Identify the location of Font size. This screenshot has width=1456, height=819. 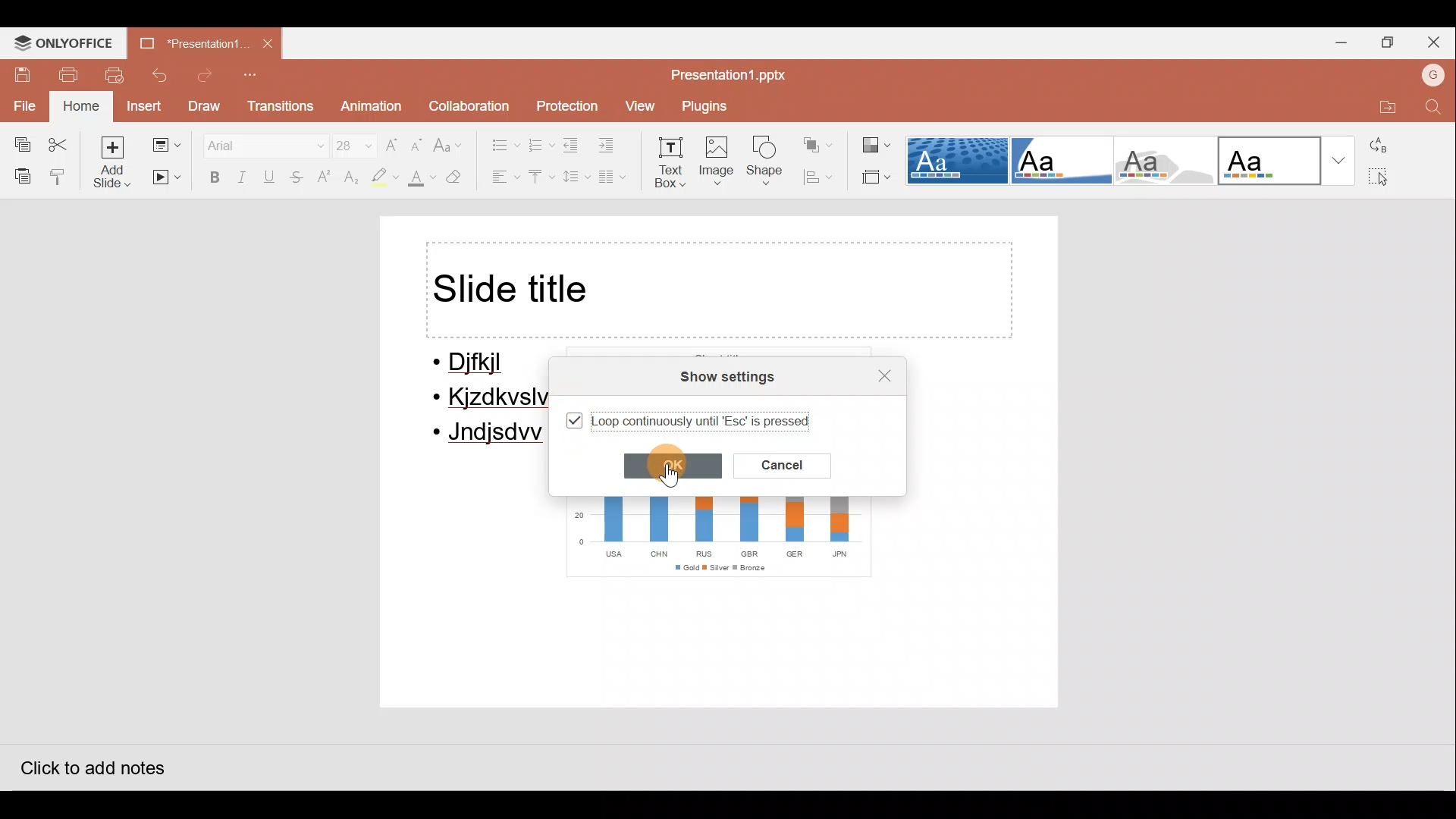
(352, 144).